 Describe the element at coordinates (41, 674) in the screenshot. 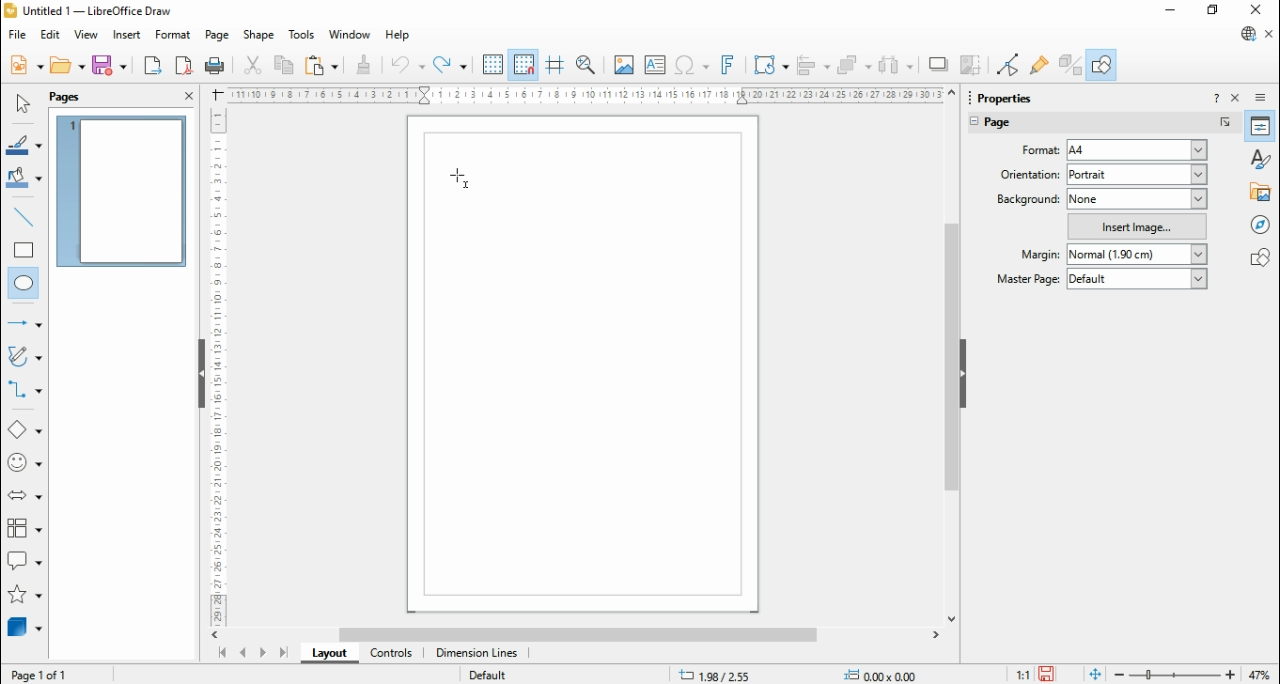

I see `Page 10f 1` at that location.